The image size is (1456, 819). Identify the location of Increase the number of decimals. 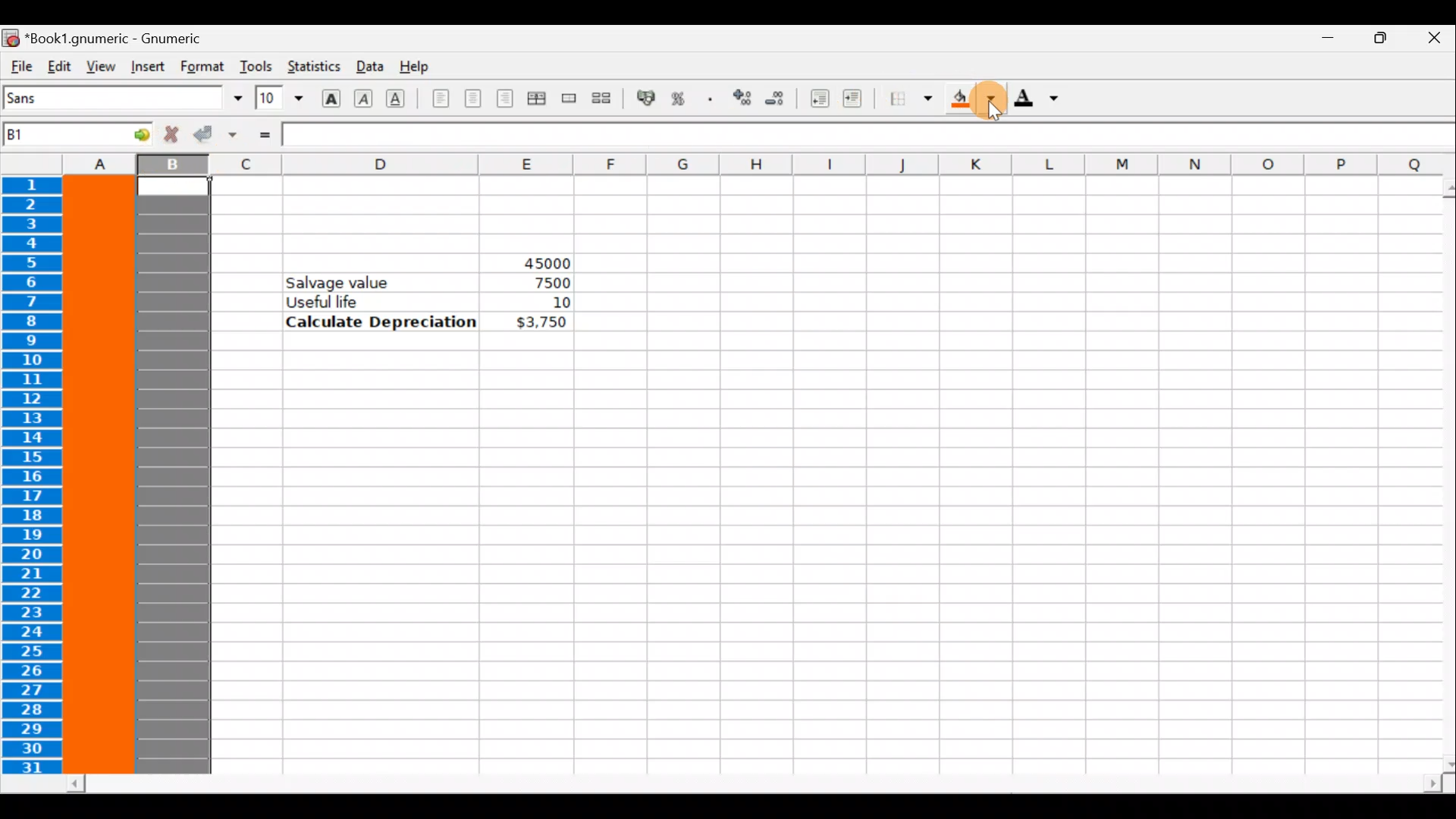
(741, 99).